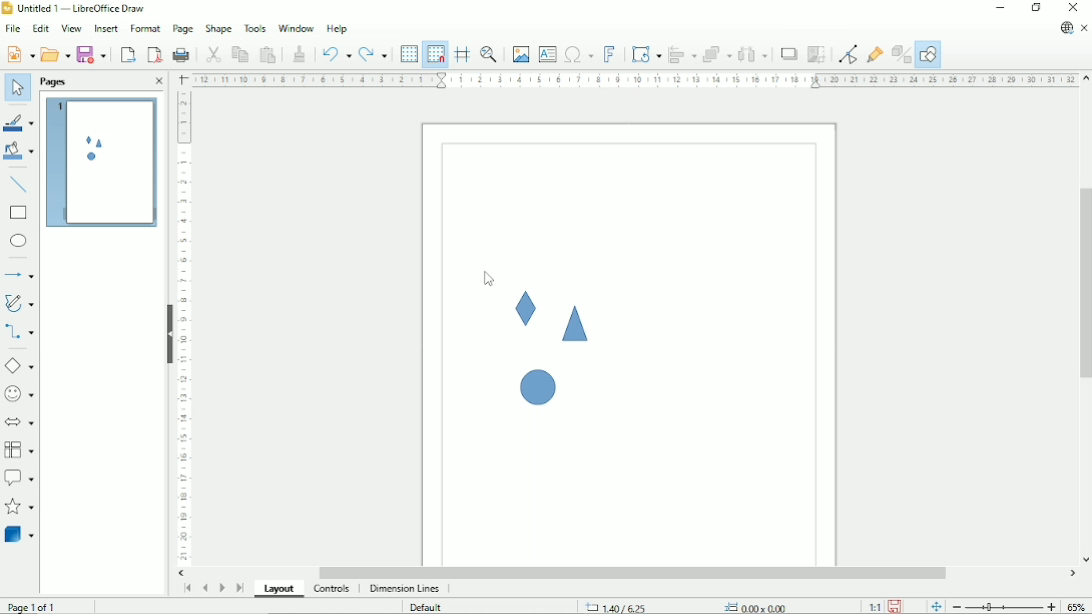 The height and width of the screenshot is (614, 1092). Describe the element at coordinates (578, 54) in the screenshot. I see `Insert special characters` at that location.